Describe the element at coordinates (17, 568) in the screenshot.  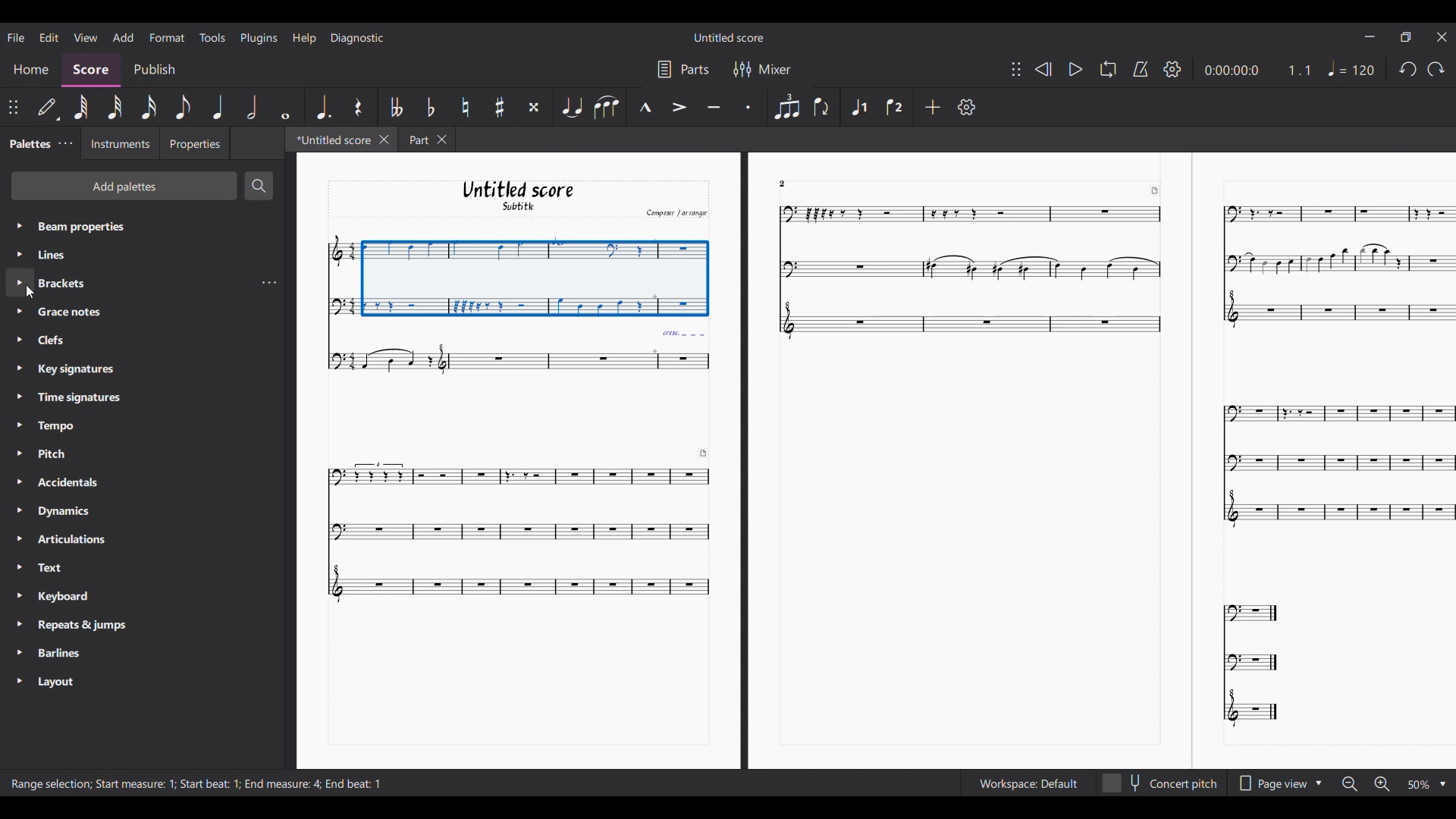
I see `` at that location.